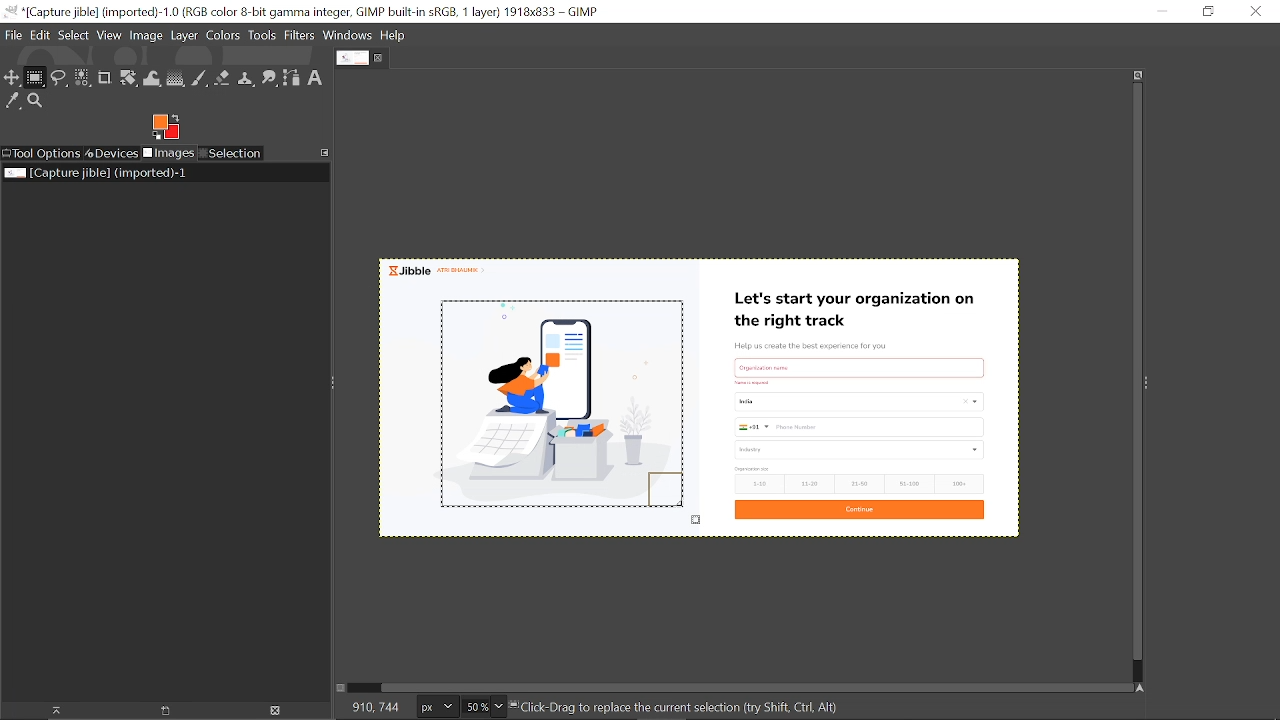 The height and width of the screenshot is (720, 1280). Describe the element at coordinates (347, 36) in the screenshot. I see `Windows` at that location.